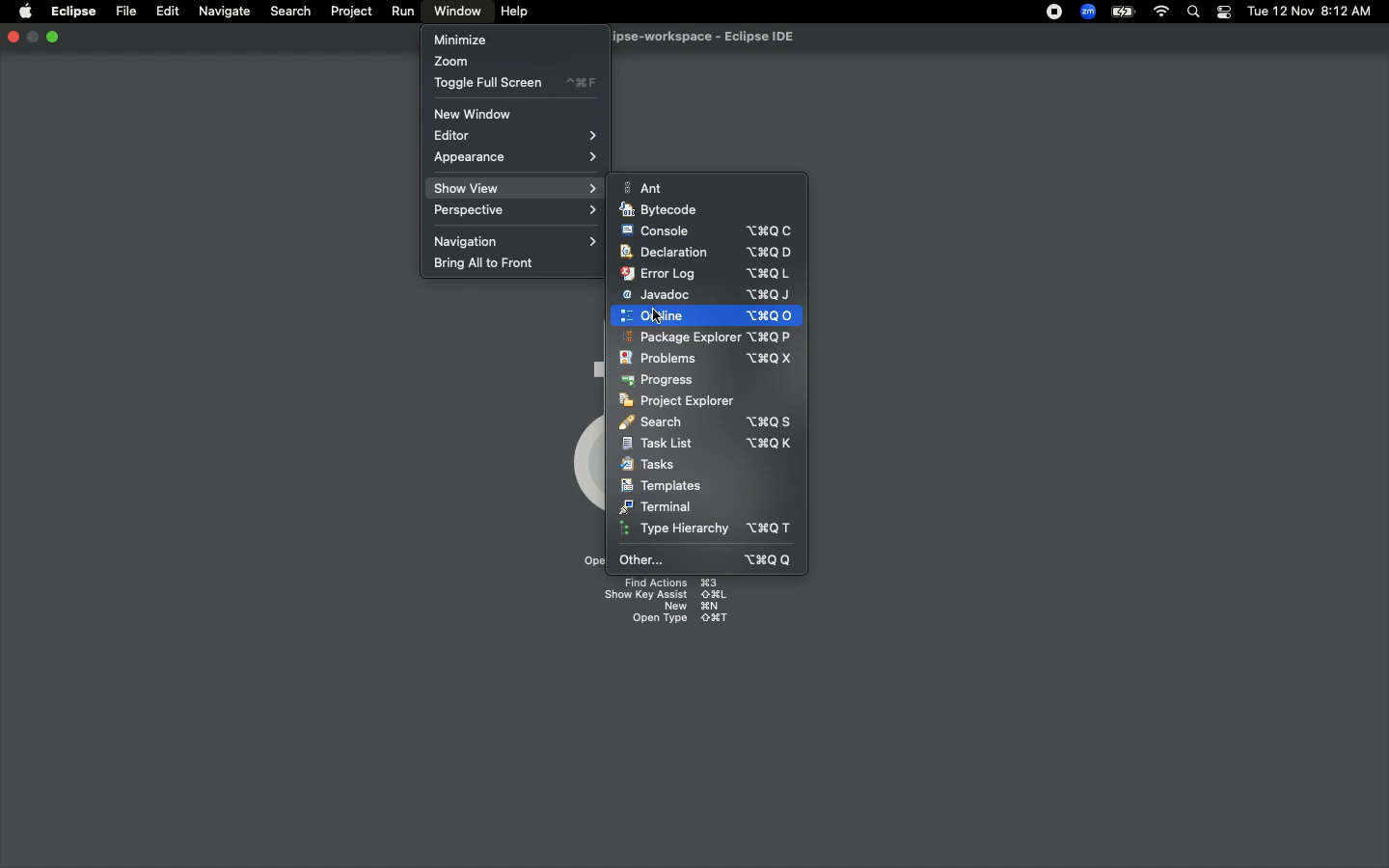 The height and width of the screenshot is (868, 1389). Describe the element at coordinates (708, 274) in the screenshot. I see `Error log` at that location.